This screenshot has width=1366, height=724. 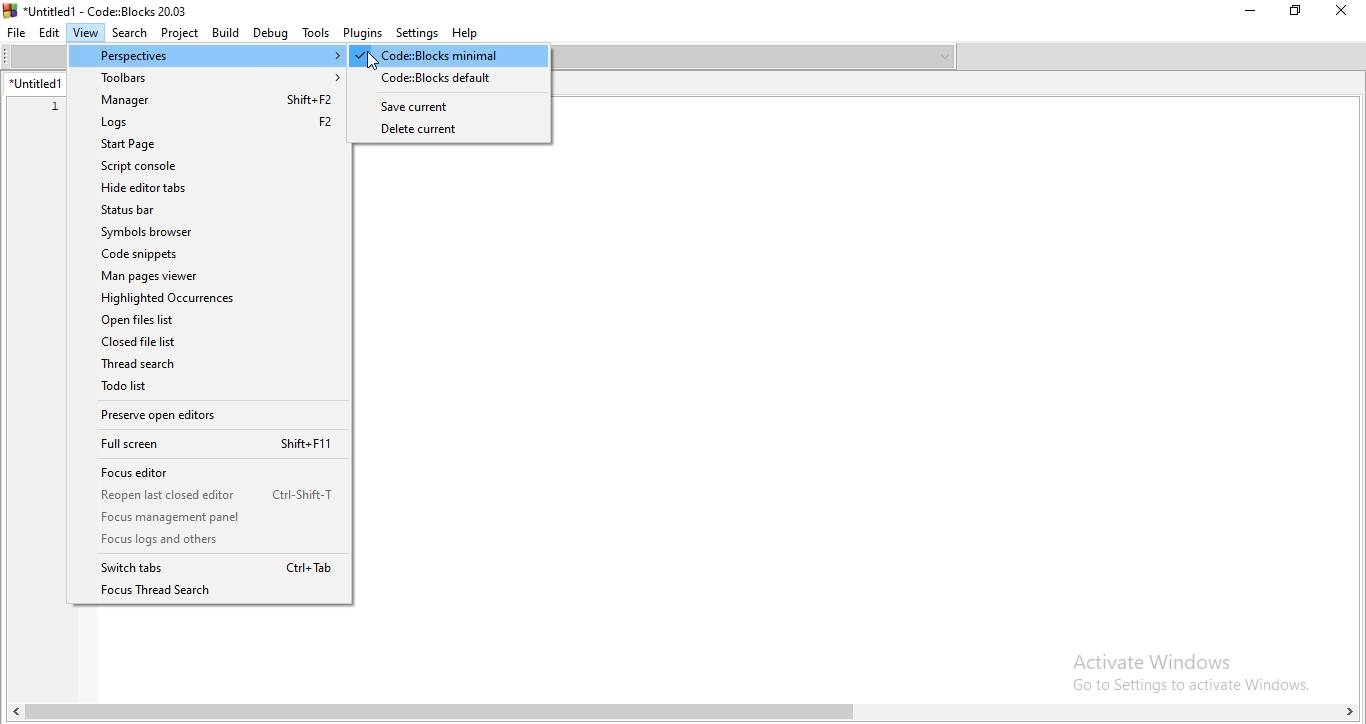 I want to click on Search , so click(x=131, y=33).